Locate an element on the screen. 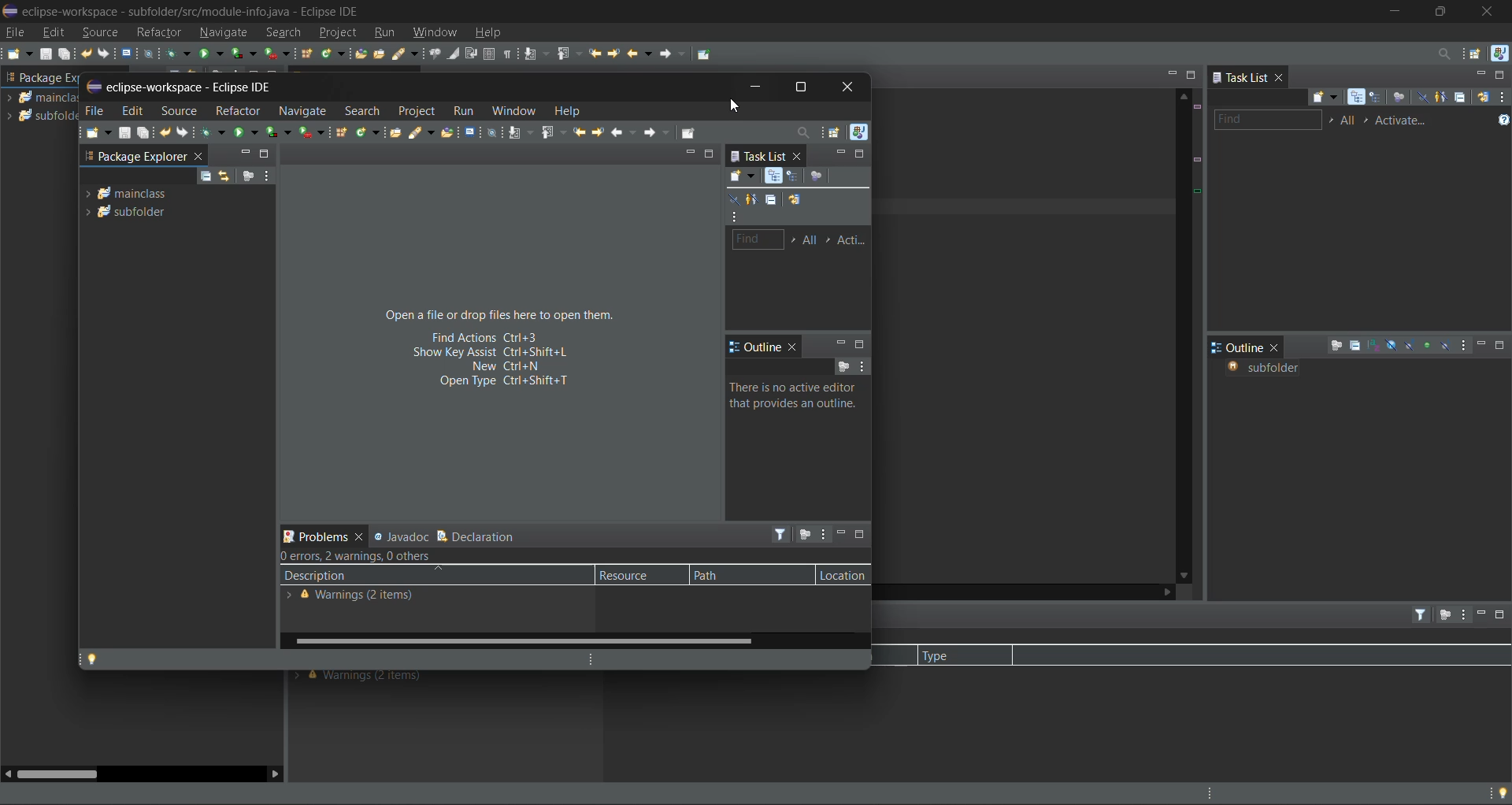 This screenshot has height=805, width=1512. save is located at coordinates (46, 54).